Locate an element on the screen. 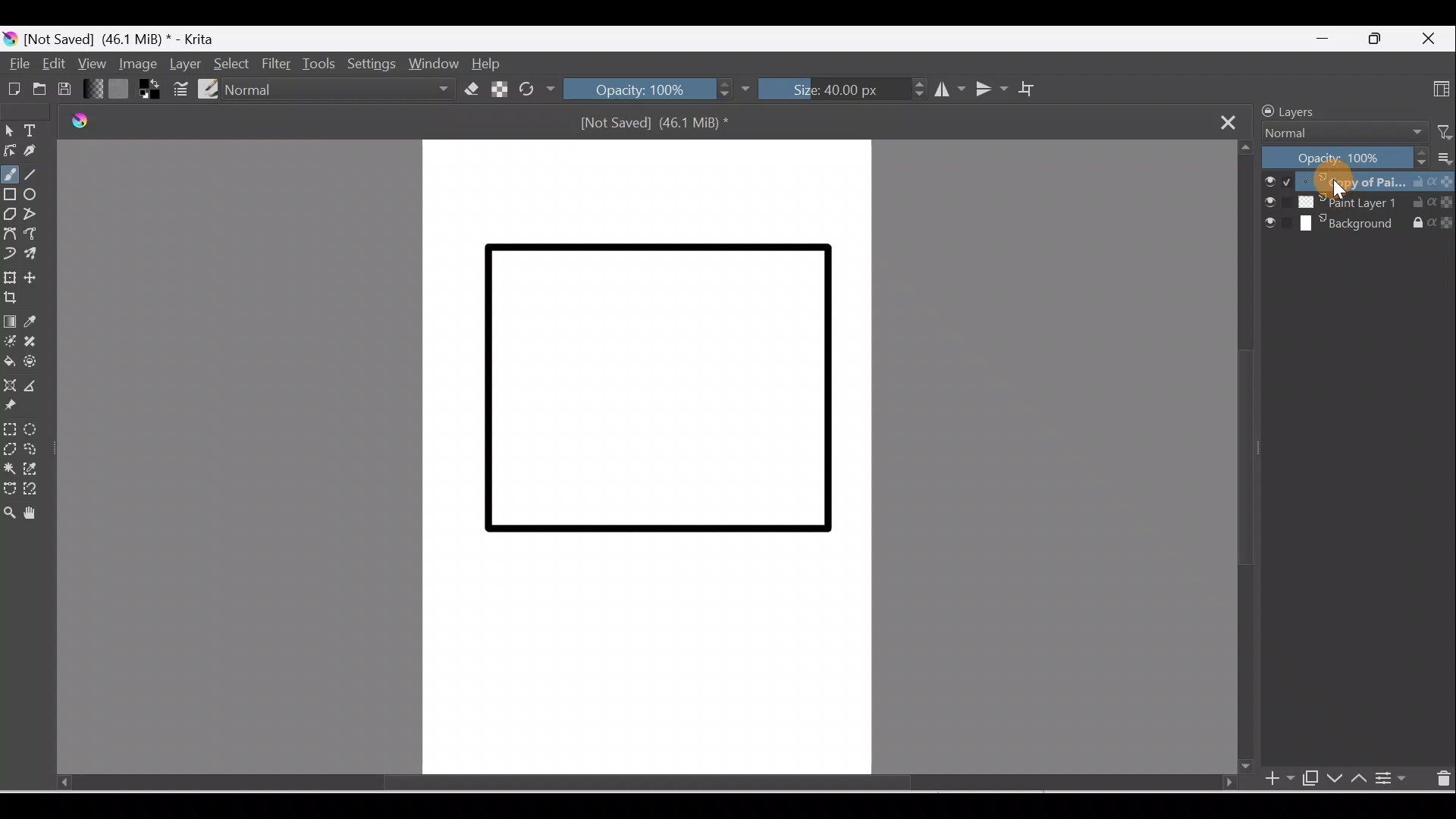 This screenshot has width=1456, height=819. Move layer/mask down is located at coordinates (1335, 780).